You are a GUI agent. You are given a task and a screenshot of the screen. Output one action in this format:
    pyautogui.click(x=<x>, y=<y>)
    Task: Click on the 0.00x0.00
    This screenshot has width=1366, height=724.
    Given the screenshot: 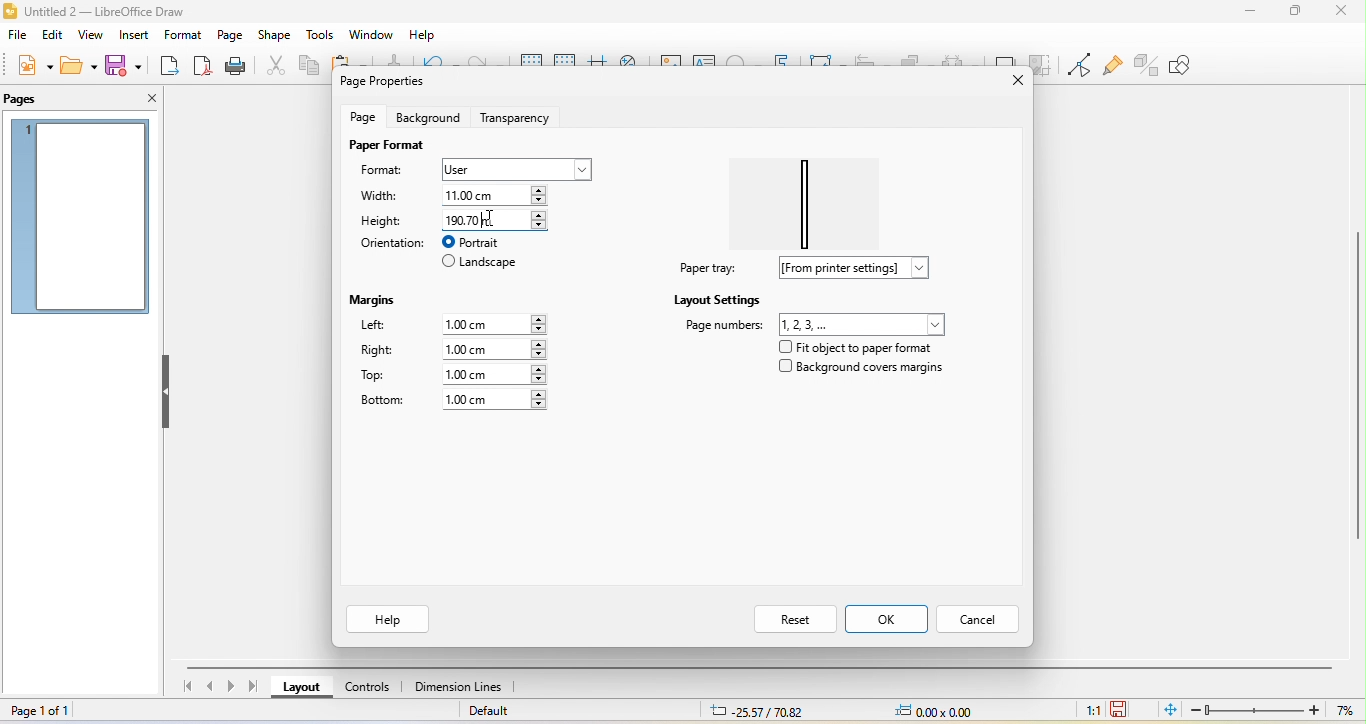 What is the action you would take?
    pyautogui.click(x=933, y=710)
    